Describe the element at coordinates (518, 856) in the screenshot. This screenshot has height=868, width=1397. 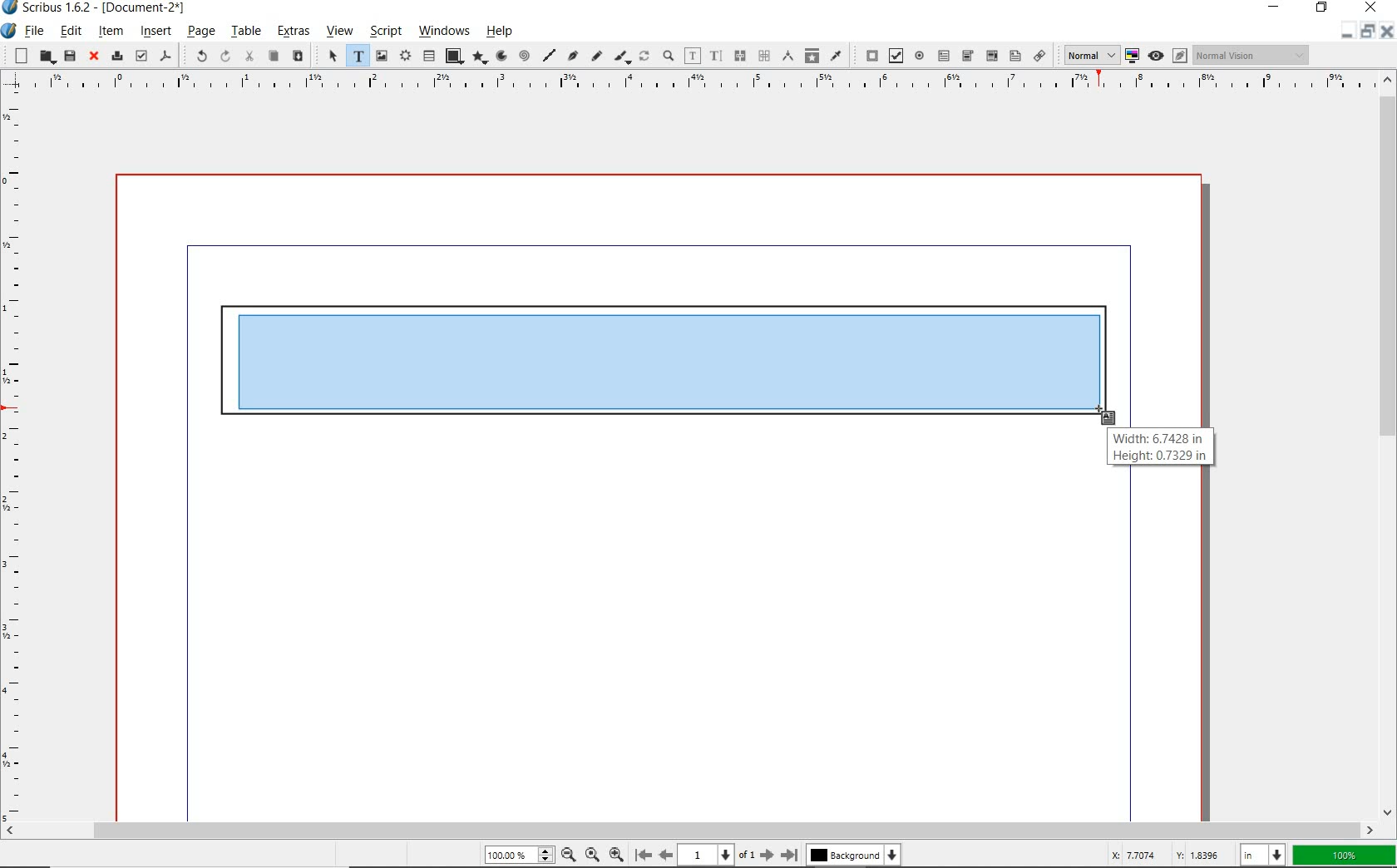
I see `zoom level` at that location.